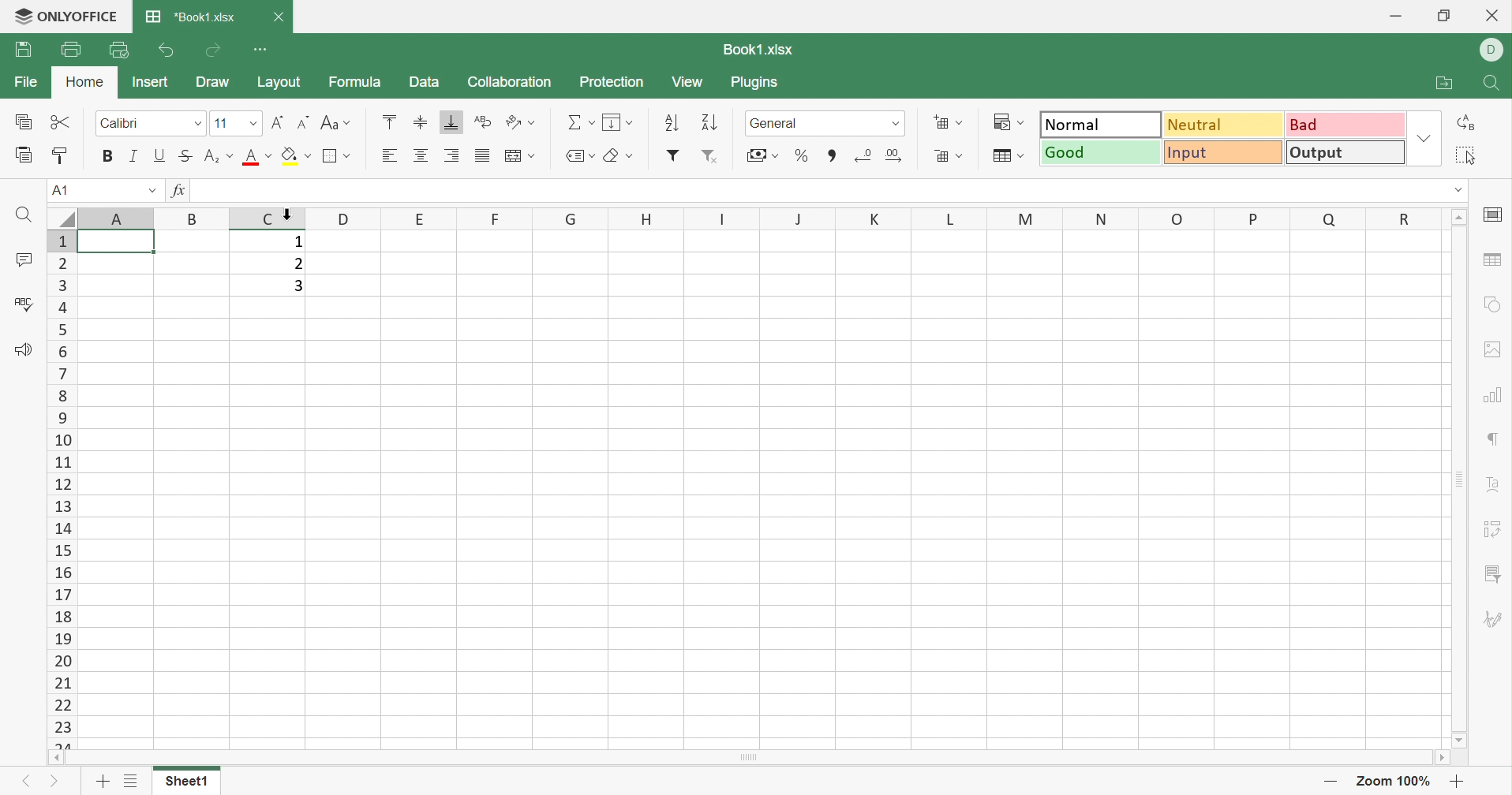  What do you see at coordinates (279, 122) in the screenshot?
I see `Increment font size` at bounding box center [279, 122].